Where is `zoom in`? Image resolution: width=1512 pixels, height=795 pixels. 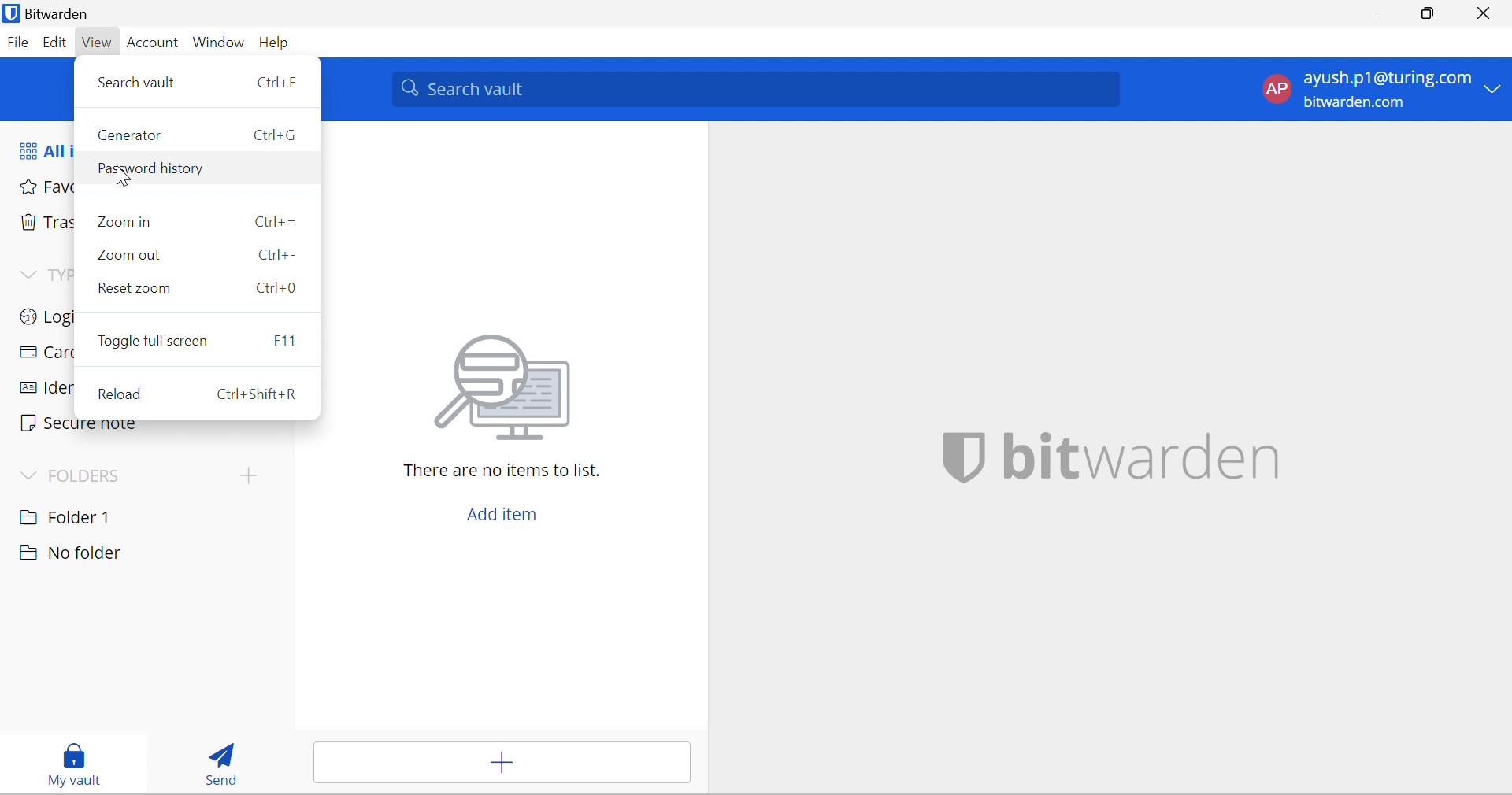
zoom in is located at coordinates (197, 221).